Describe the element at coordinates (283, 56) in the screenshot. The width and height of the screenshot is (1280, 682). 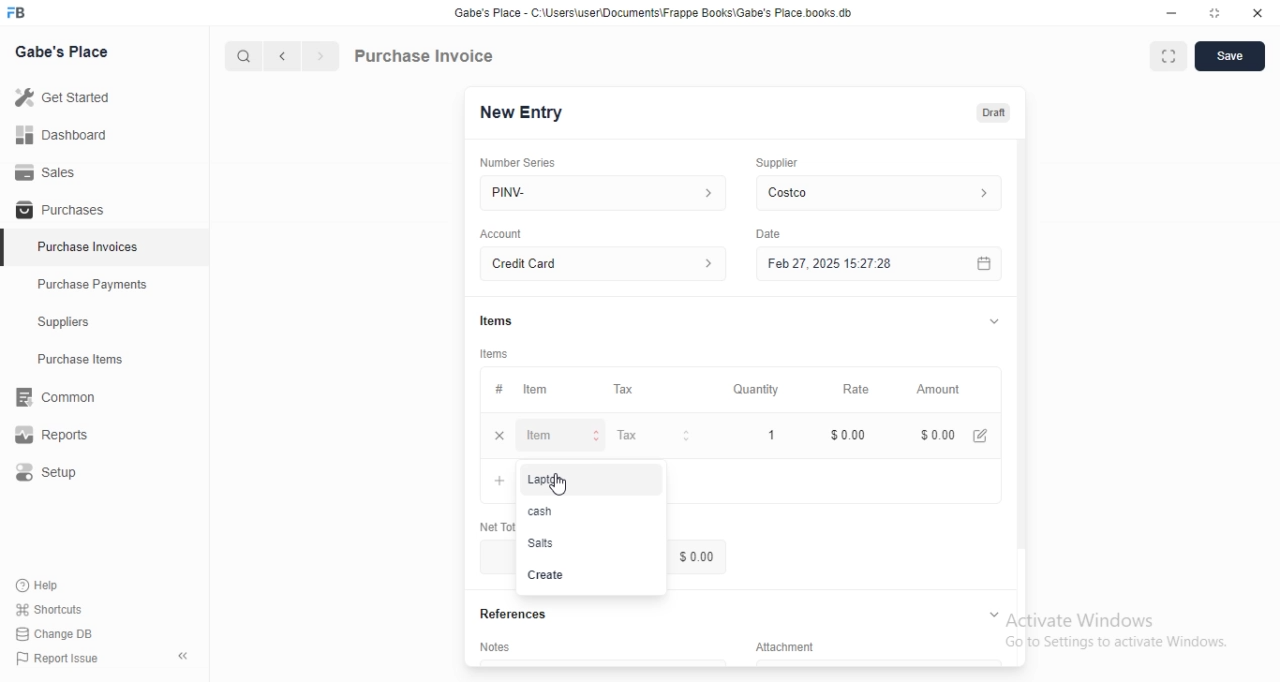
I see `Previous button` at that location.